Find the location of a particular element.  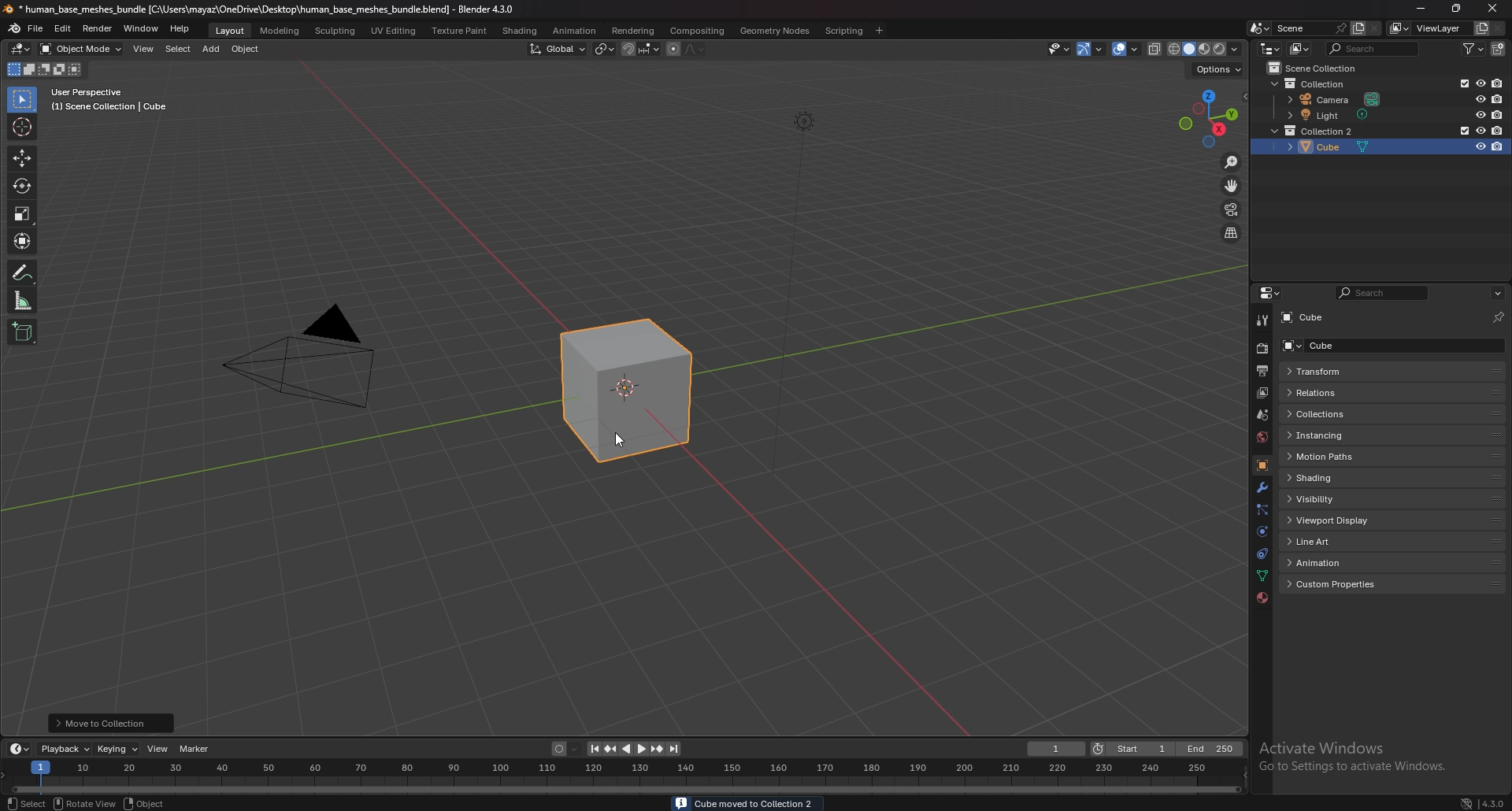

object is located at coordinates (151, 802).